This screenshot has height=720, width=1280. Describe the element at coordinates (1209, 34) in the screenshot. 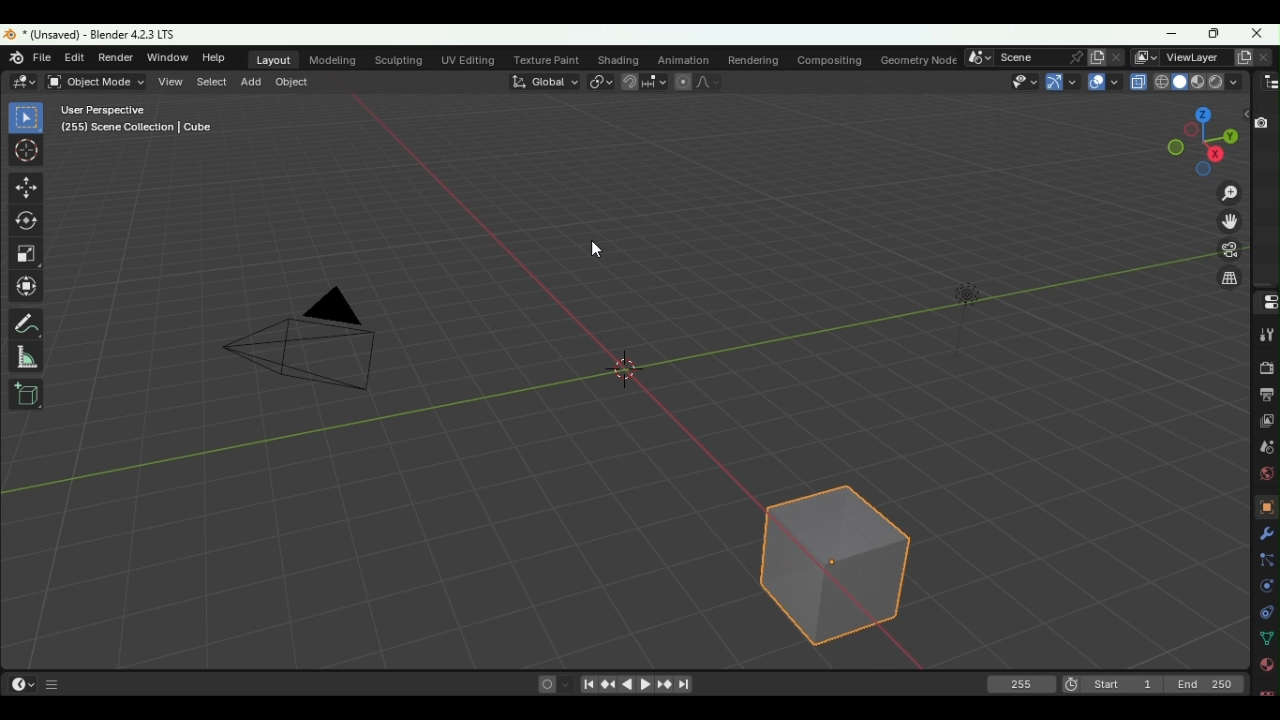

I see `Maximize` at that location.